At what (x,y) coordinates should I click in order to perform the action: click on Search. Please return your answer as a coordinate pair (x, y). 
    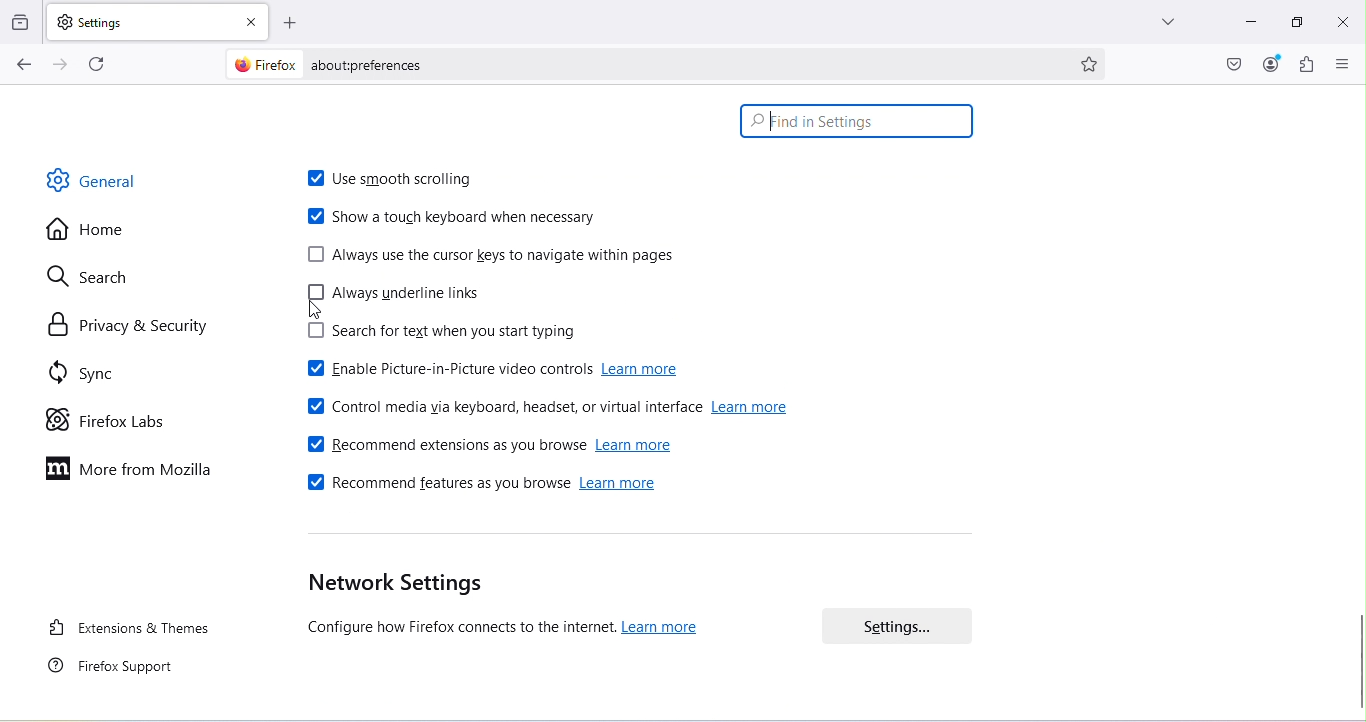
    Looking at the image, I should click on (84, 277).